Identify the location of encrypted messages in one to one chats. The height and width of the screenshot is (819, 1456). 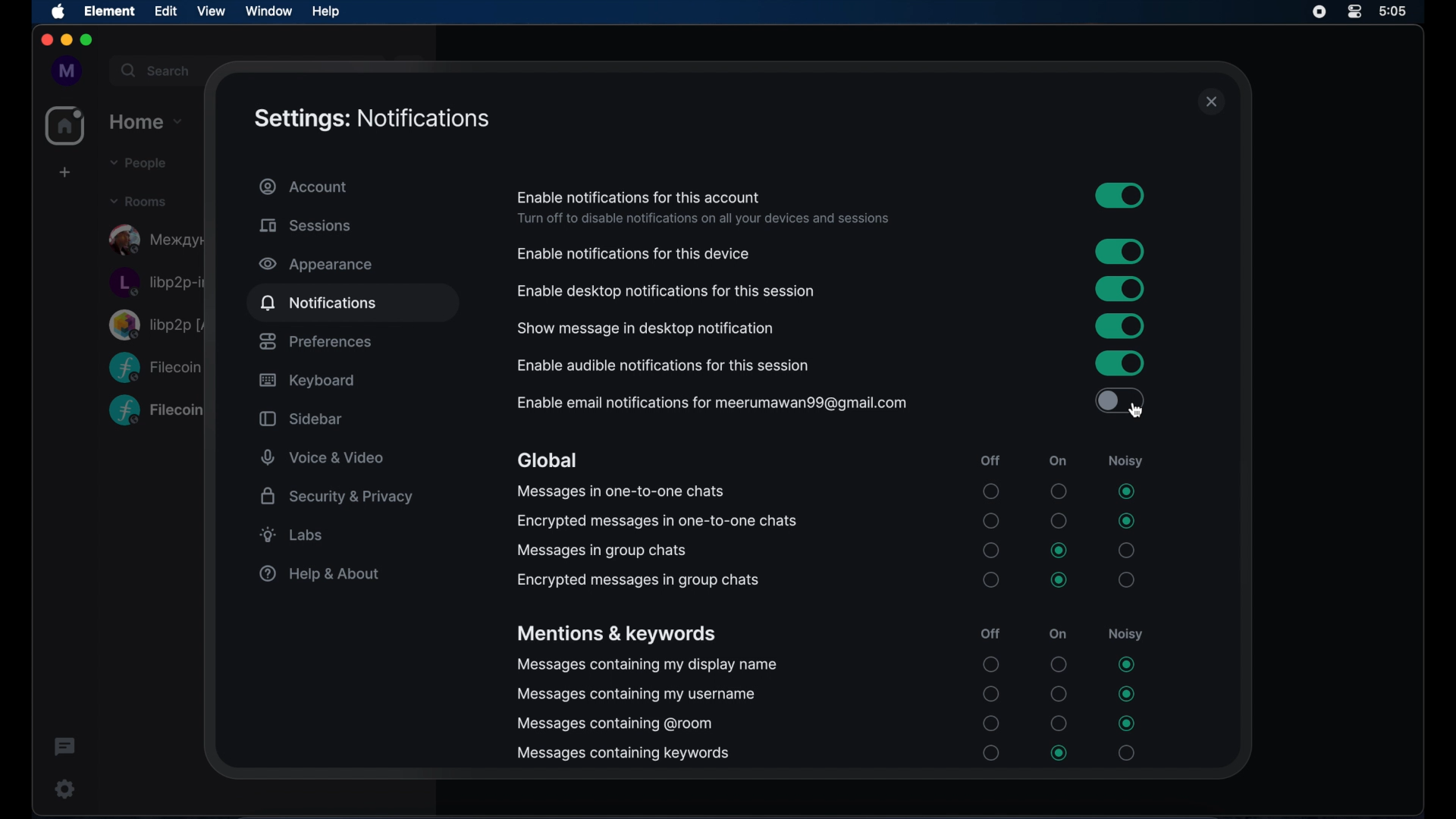
(657, 520).